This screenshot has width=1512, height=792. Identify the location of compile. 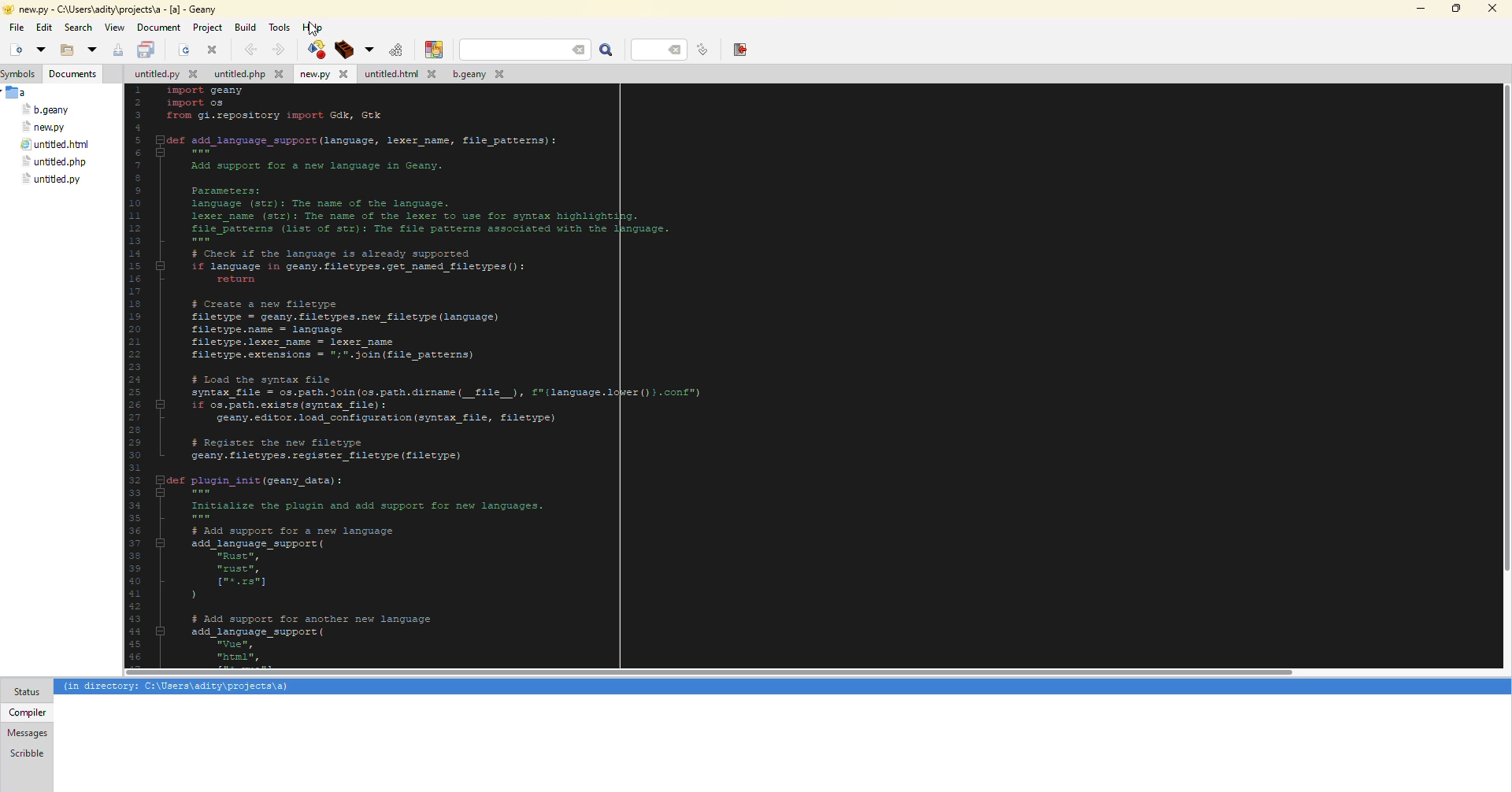
(314, 49).